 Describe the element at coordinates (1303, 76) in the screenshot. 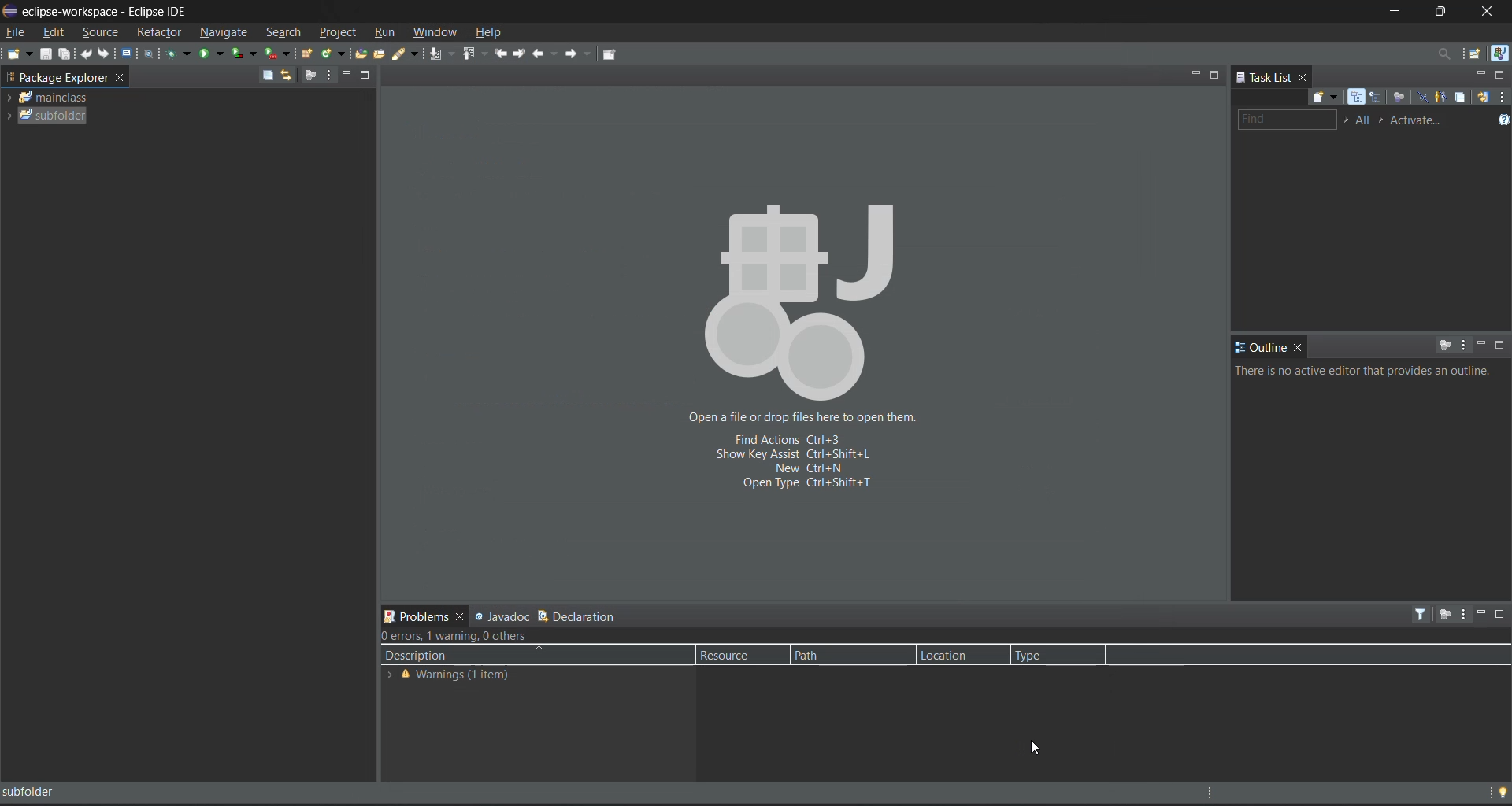

I see `close` at that location.